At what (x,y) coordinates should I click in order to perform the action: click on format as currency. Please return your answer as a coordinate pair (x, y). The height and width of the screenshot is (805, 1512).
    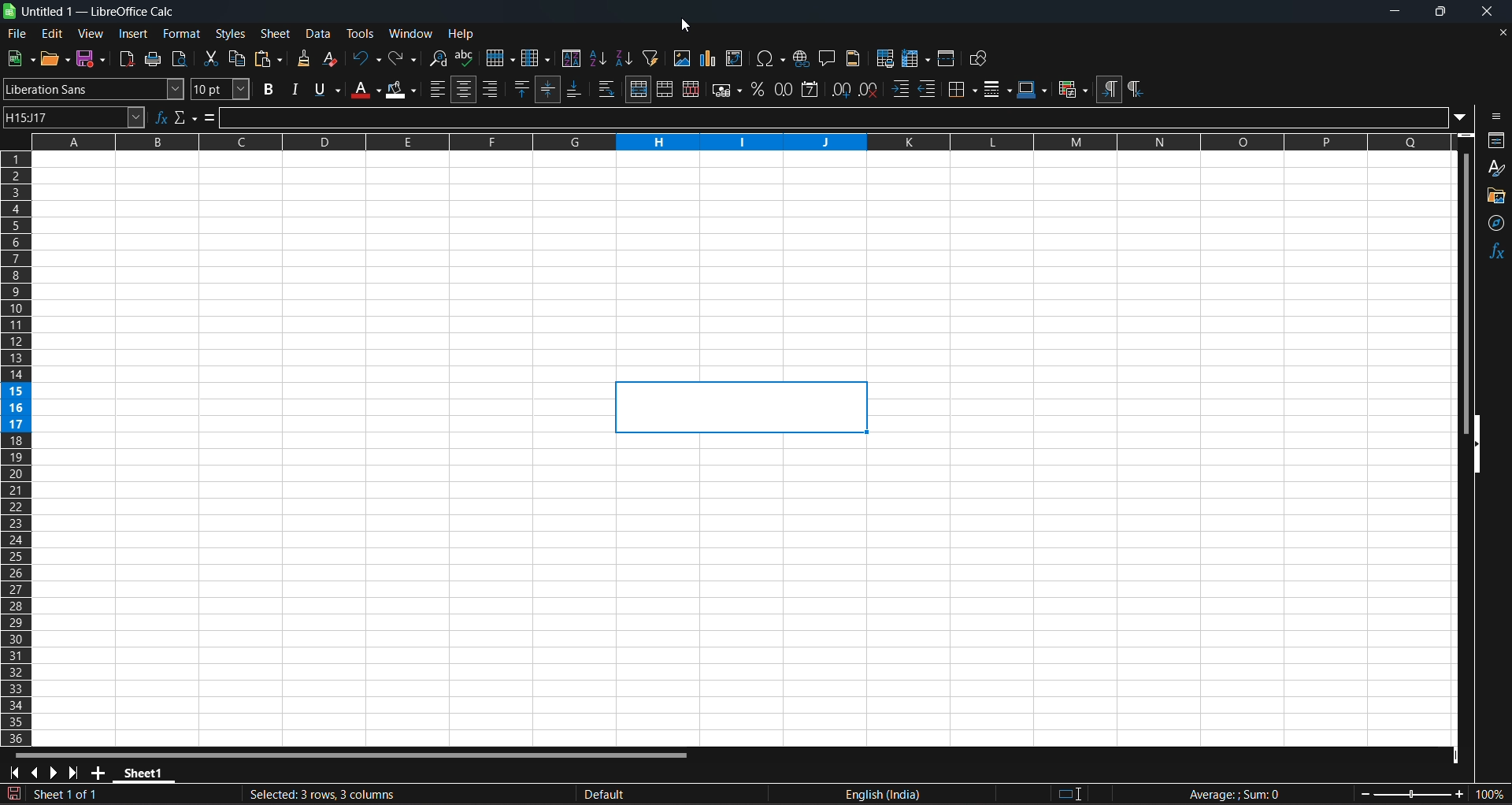
    Looking at the image, I should click on (728, 90).